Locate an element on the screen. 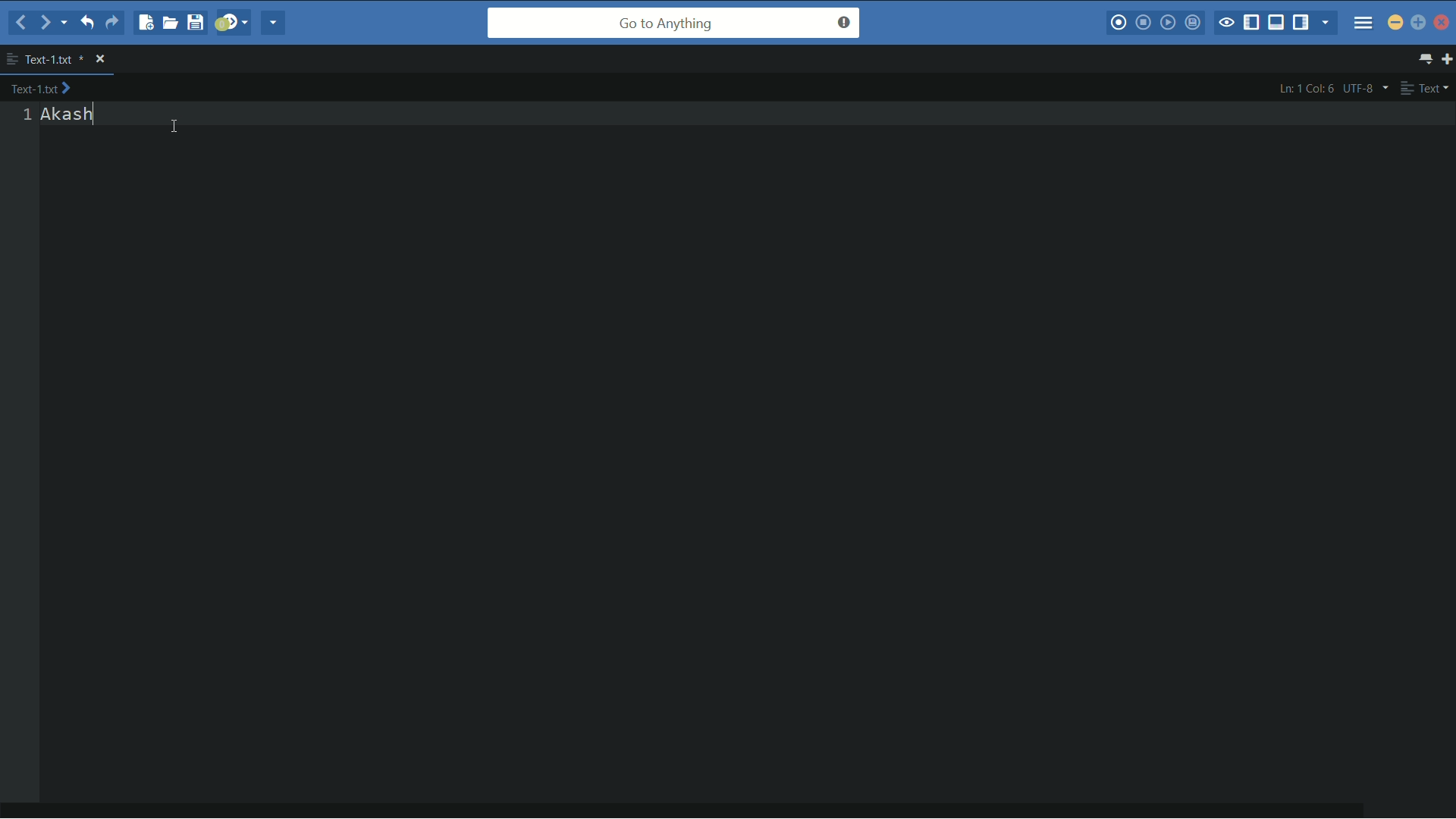 This screenshot has width=1456, height=819. play the last macro is located at coordinates (1167, 21).